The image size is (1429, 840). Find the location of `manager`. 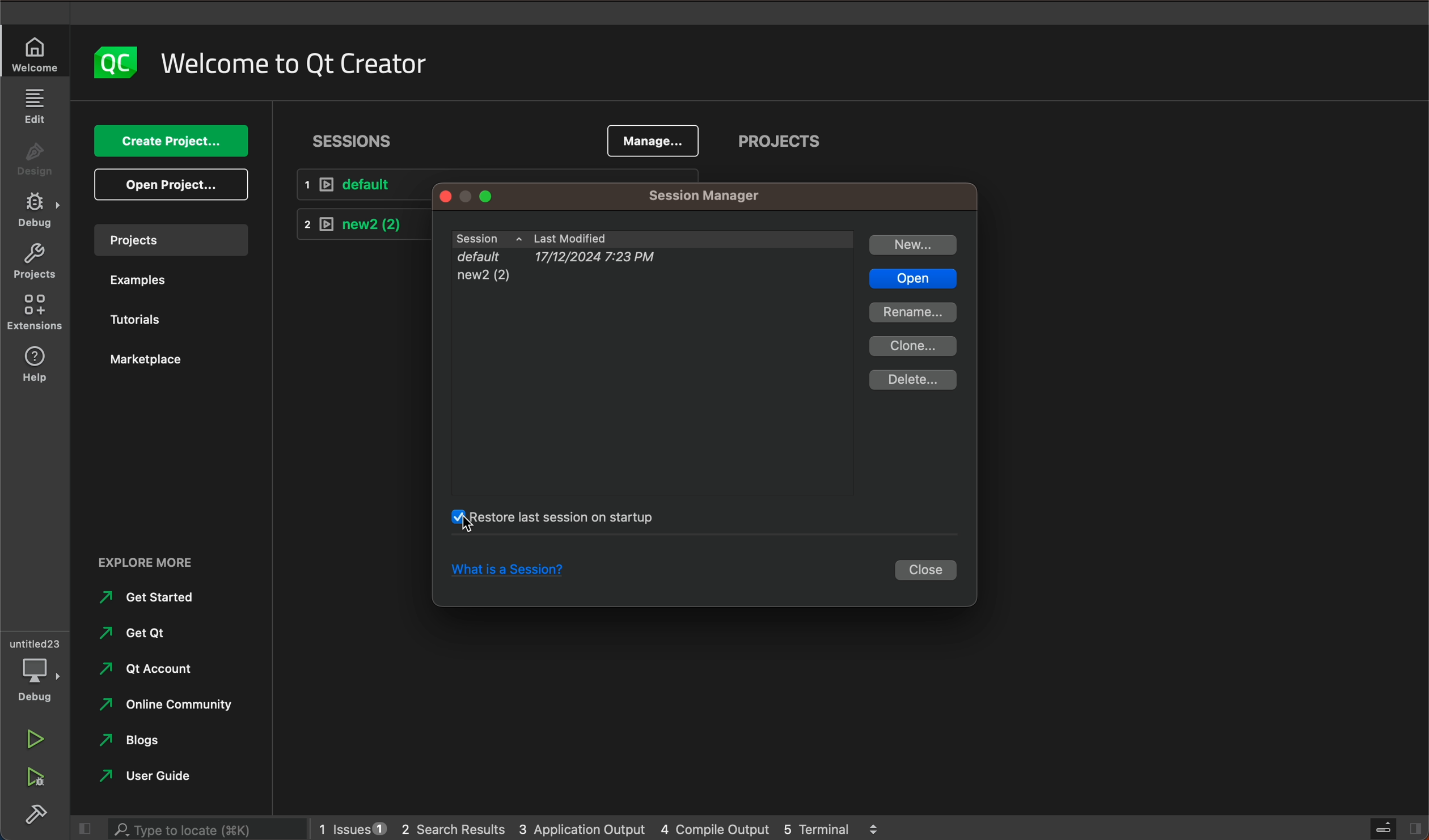

manager is located at coordinates (711, 197).